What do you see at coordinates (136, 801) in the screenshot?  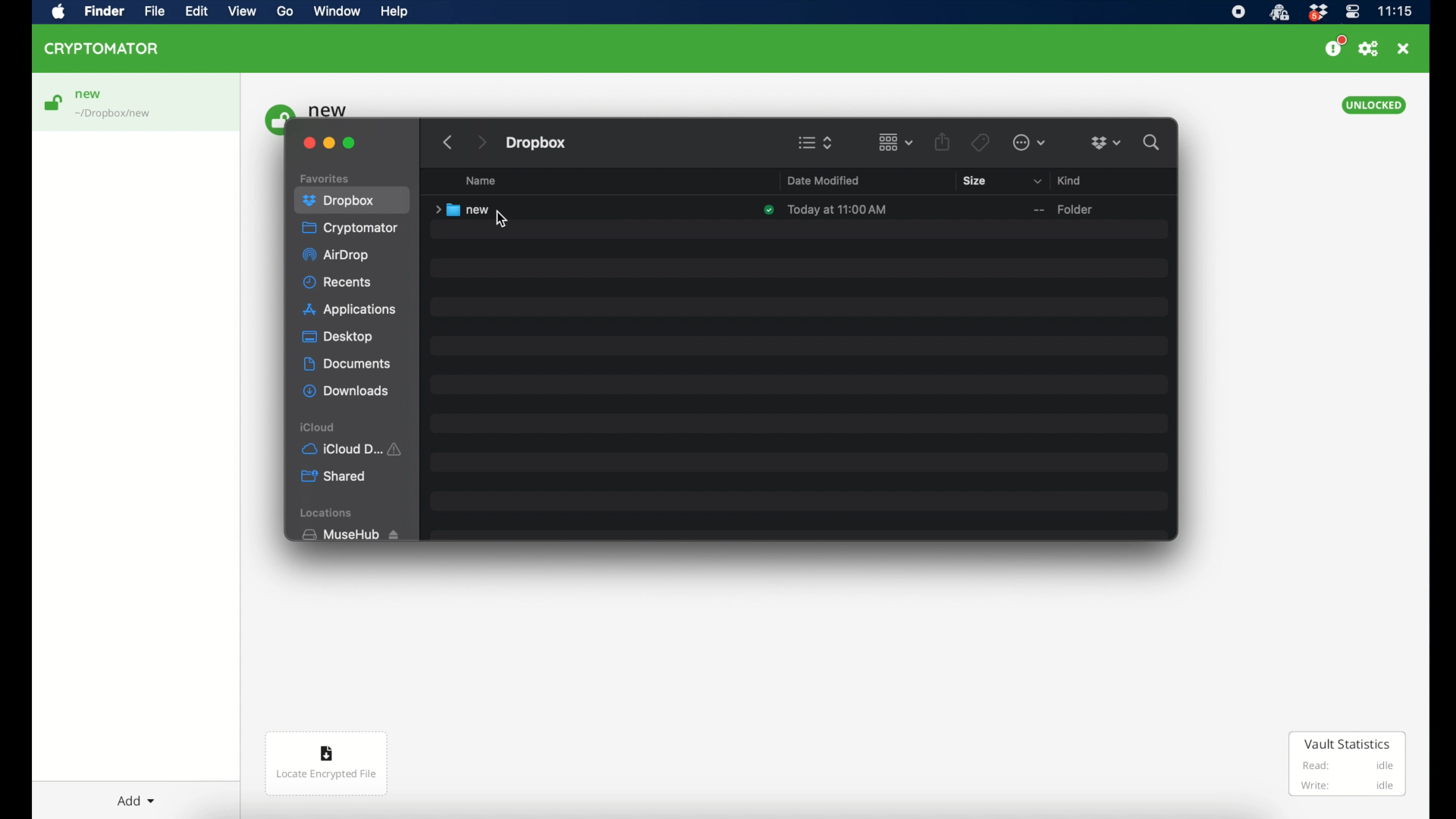 I see `add dropdown ` at bounding box center [136, 801].